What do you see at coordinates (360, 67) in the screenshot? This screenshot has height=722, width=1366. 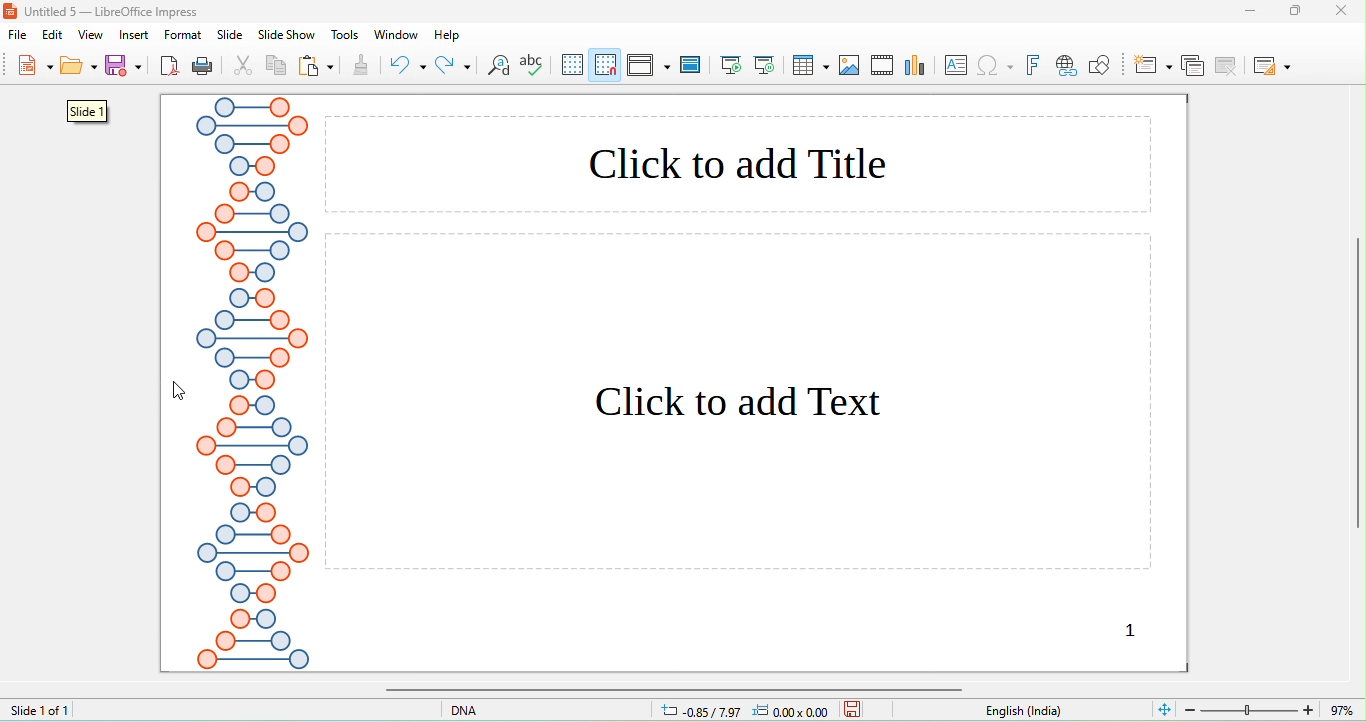 I see `clone` at bounding box center [360, 67].